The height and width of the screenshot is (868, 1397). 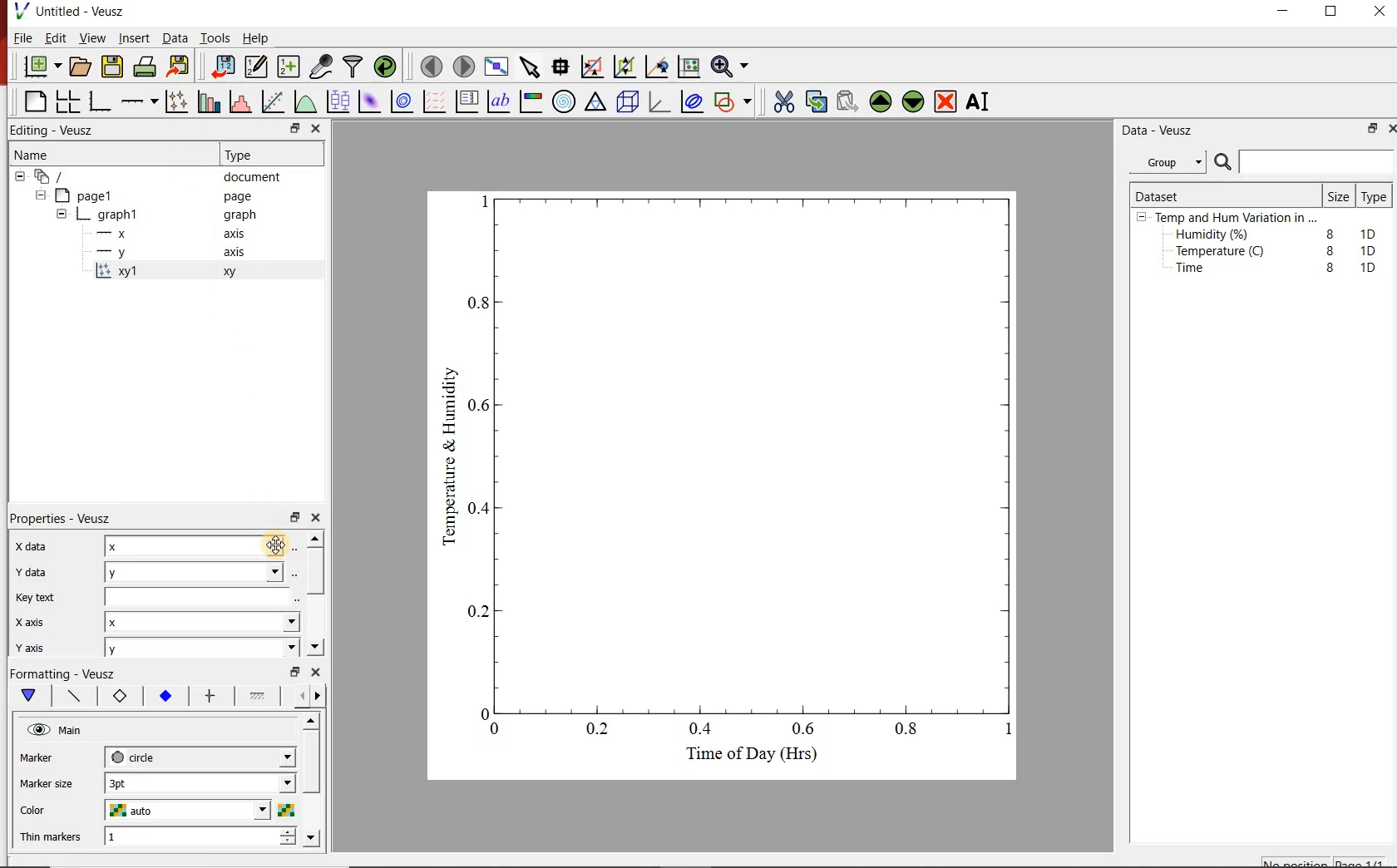 I want to click on view plot full screen, so click(x=497, y=67).